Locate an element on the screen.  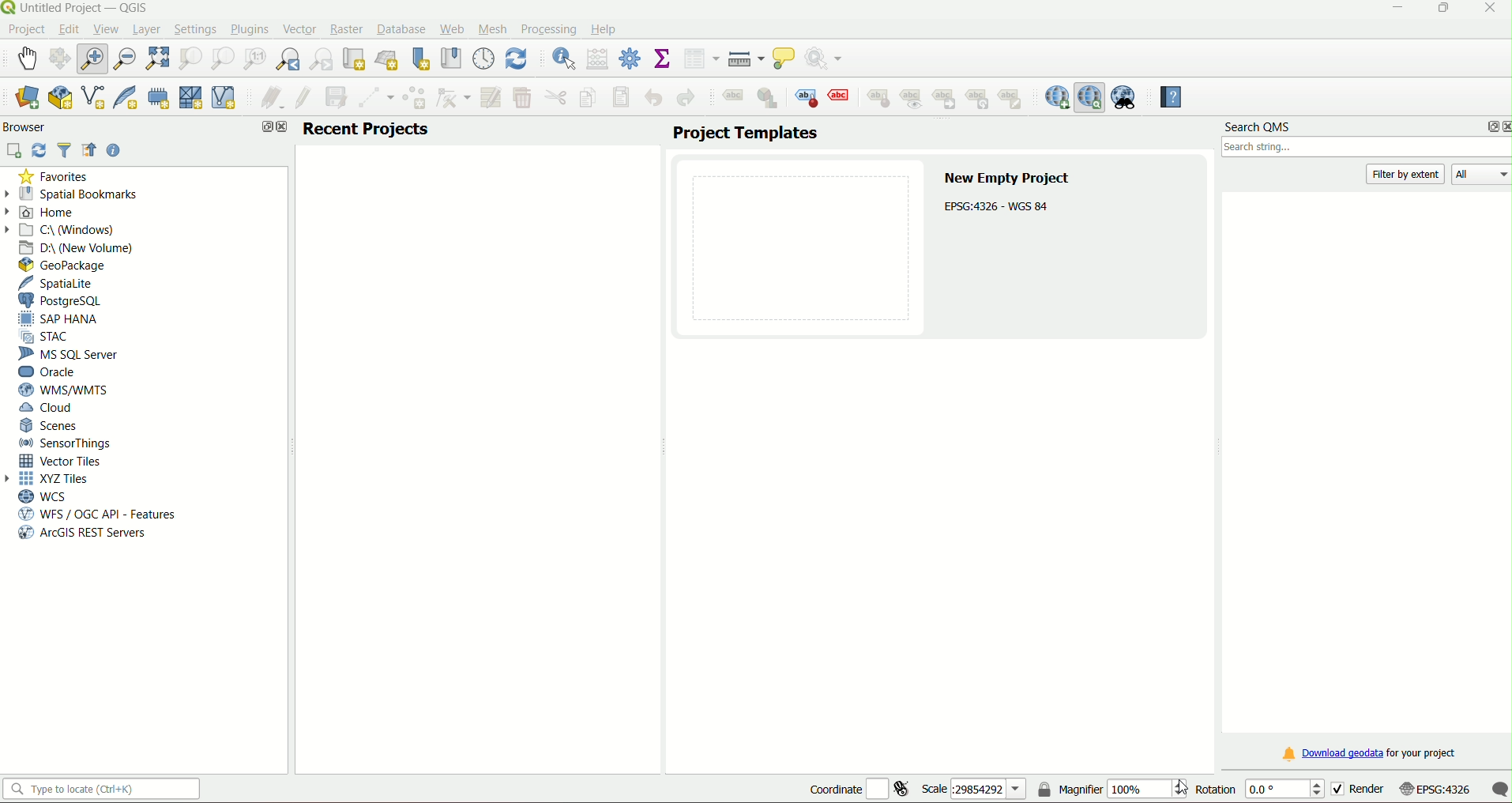
WCS is located at coordinates (42, 496).